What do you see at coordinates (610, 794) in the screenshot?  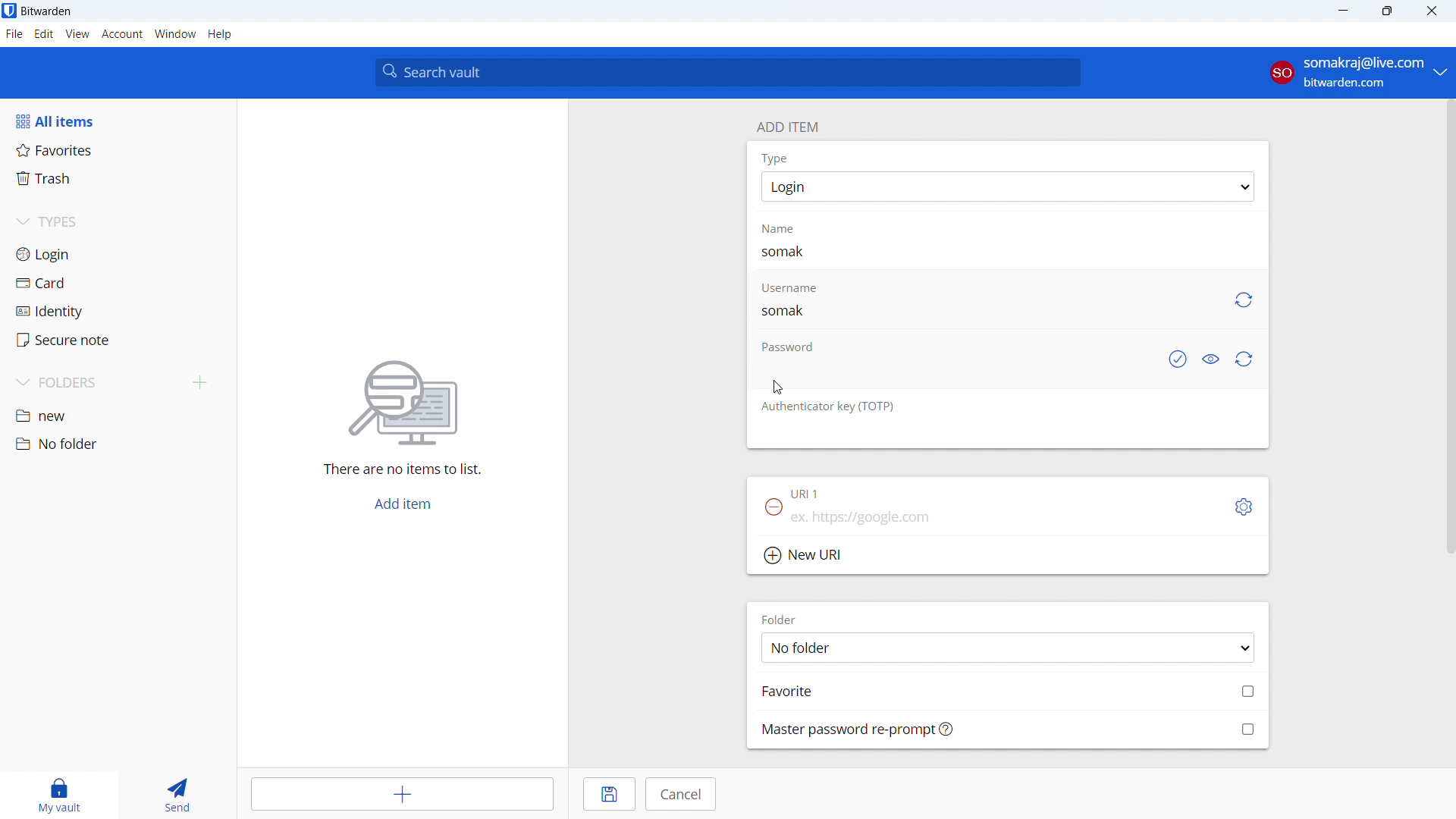 I see `save` at bounding box center [610, 794].